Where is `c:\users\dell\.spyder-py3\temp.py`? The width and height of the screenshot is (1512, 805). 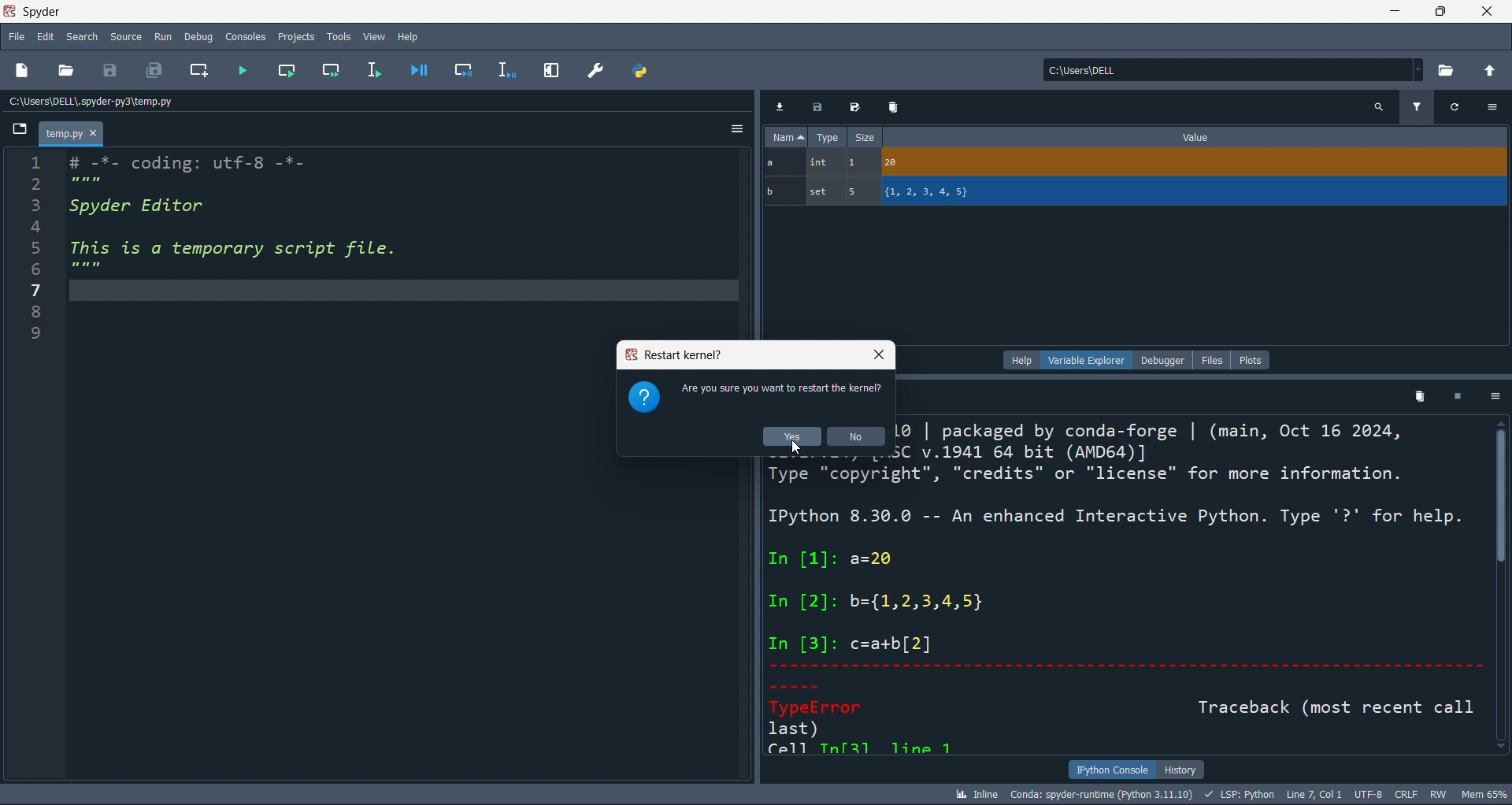
c:\users\dell\.spyder-py3\temp.py is located at coordinates (91, 102).